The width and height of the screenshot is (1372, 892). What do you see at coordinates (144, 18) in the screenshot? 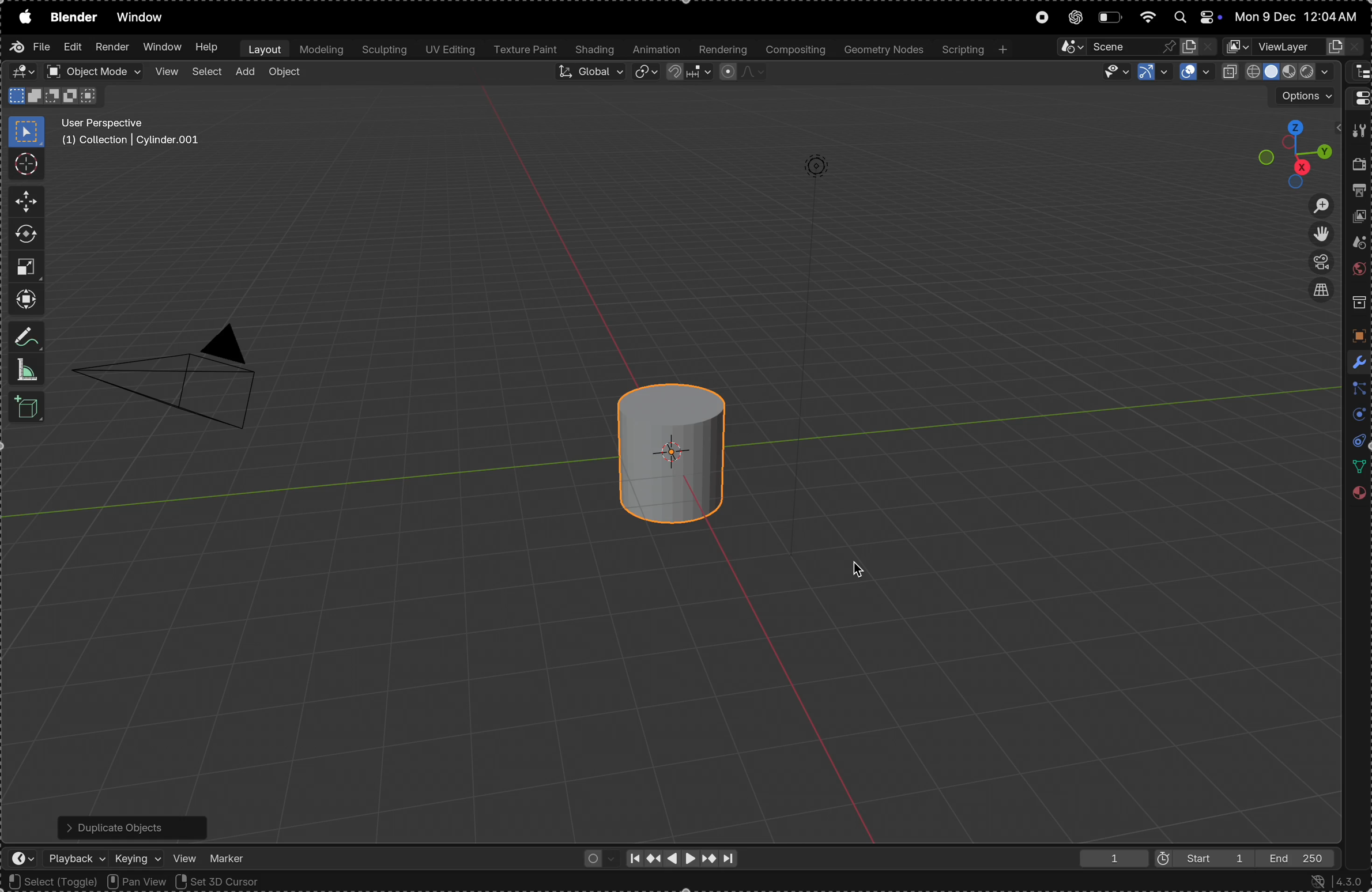
I see `Window` at bounding box center [144, 18].